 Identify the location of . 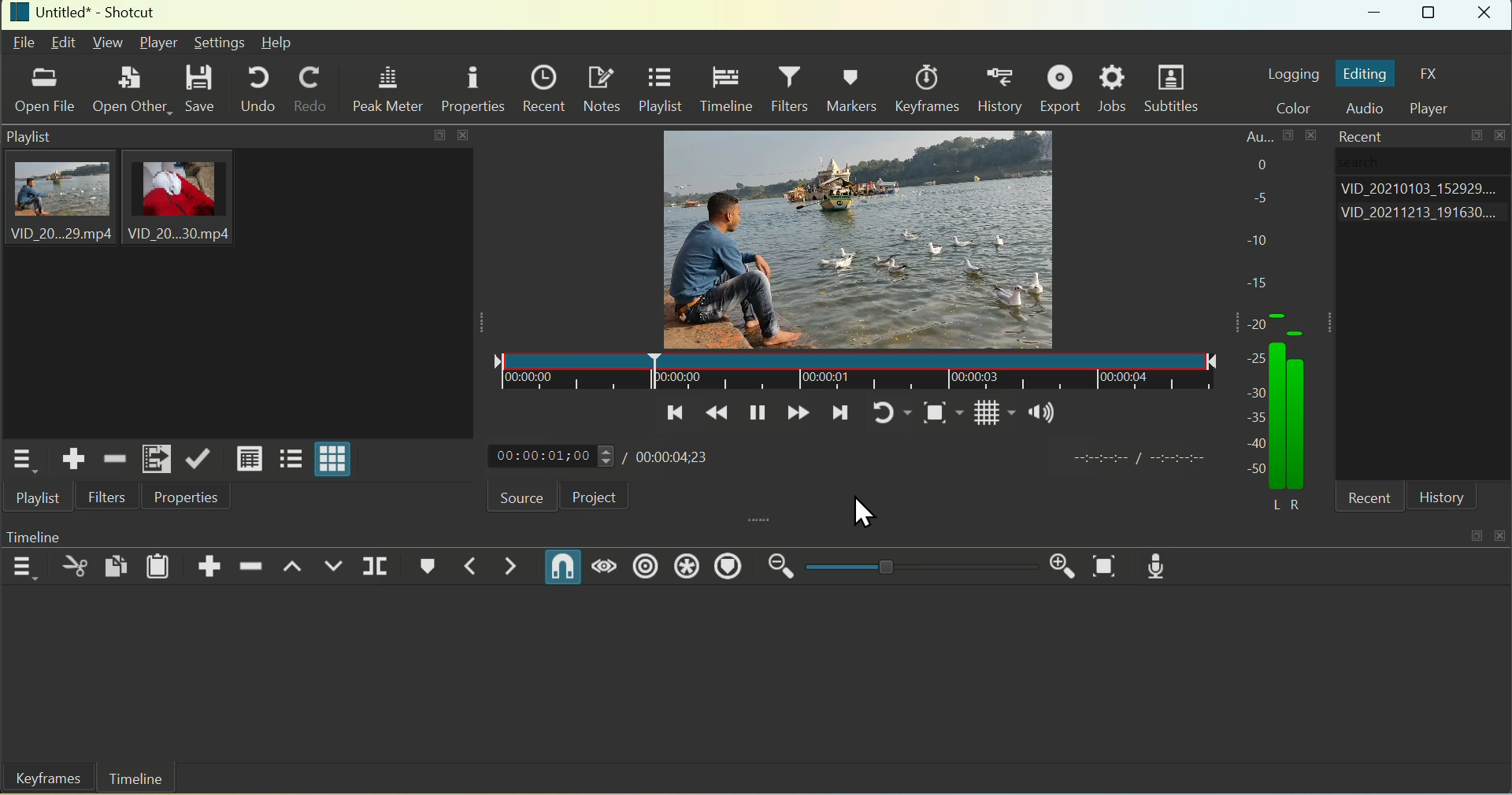
(1432, 74).